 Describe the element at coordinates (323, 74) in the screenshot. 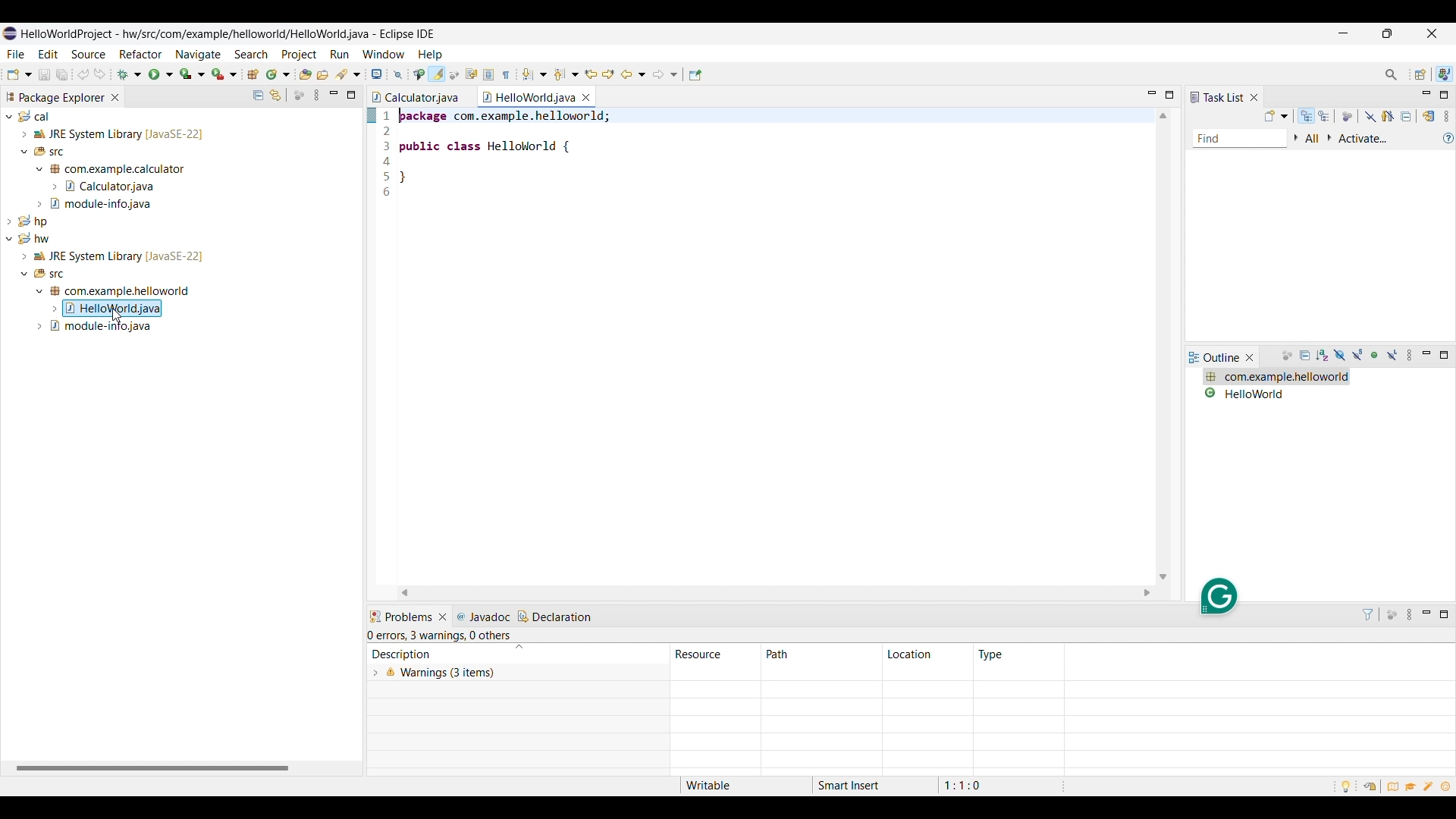

I see `Open task` at that location.